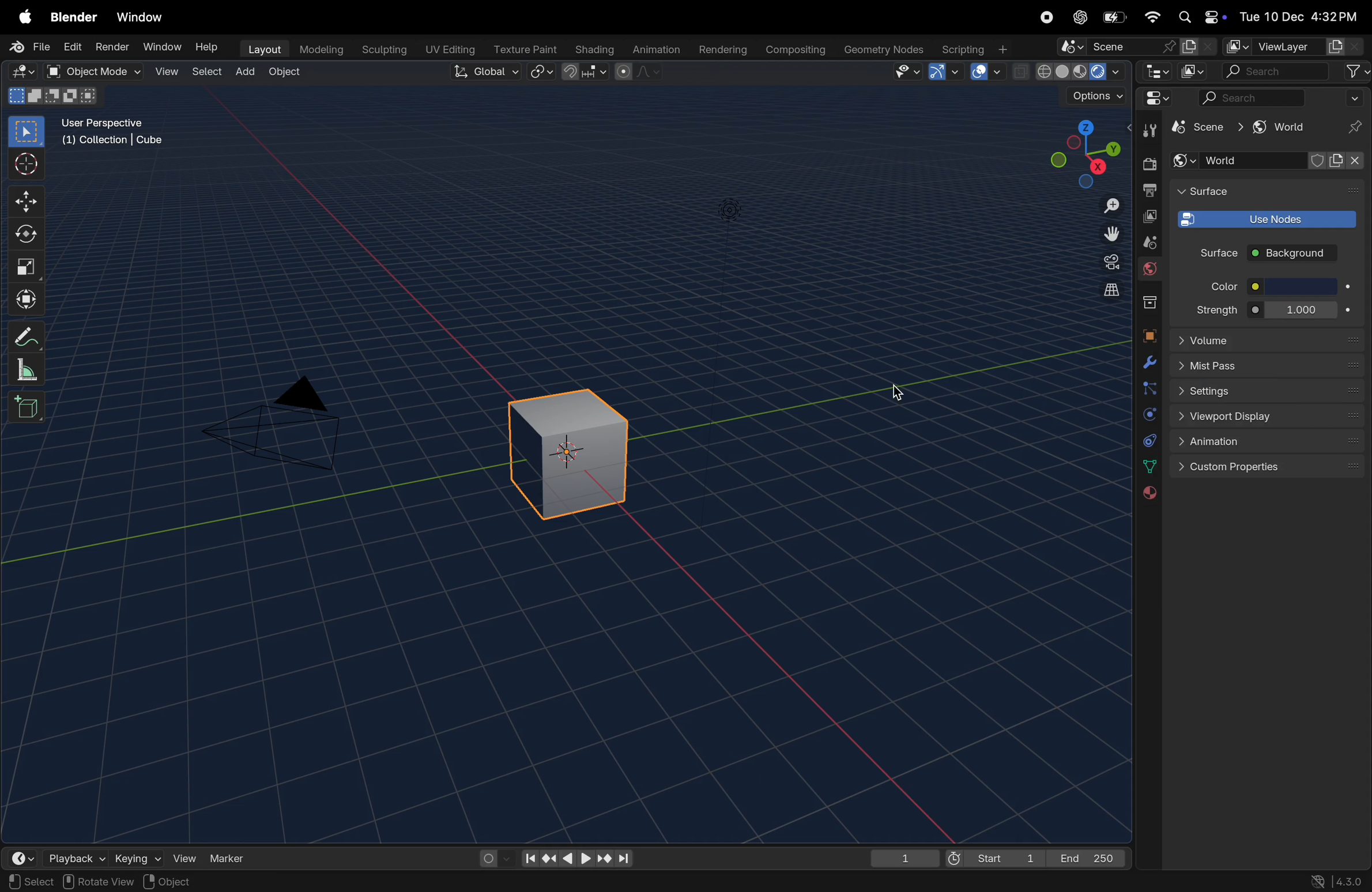 Image resolution: width=1372 pixels, height=892 pixels. I want to click on cursor, so click(899, 396).